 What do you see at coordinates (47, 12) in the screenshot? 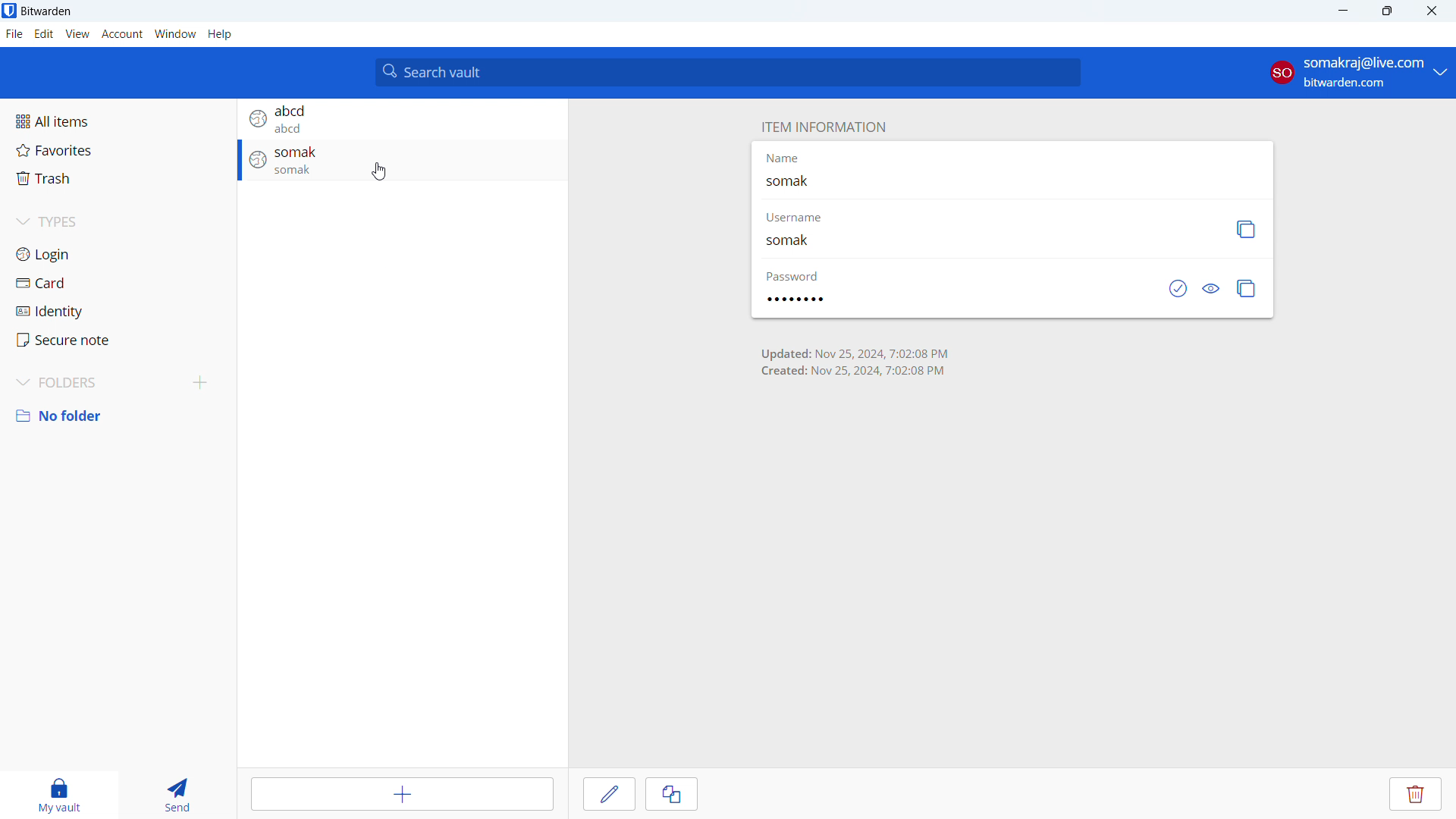
I see `title` at bounding box center [47, 12].